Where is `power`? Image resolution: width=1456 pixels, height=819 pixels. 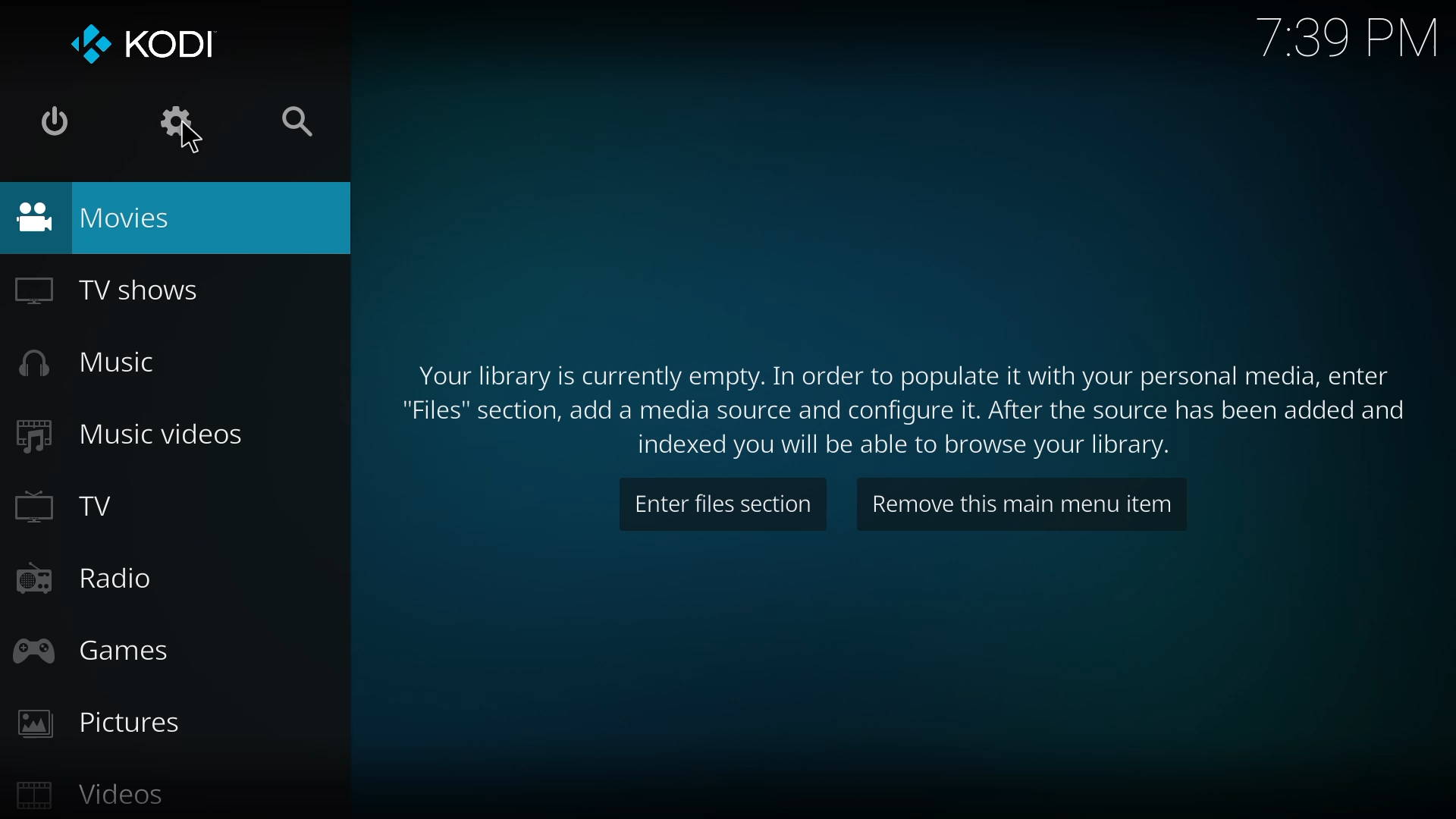
power is located at coordinates (55, 121).